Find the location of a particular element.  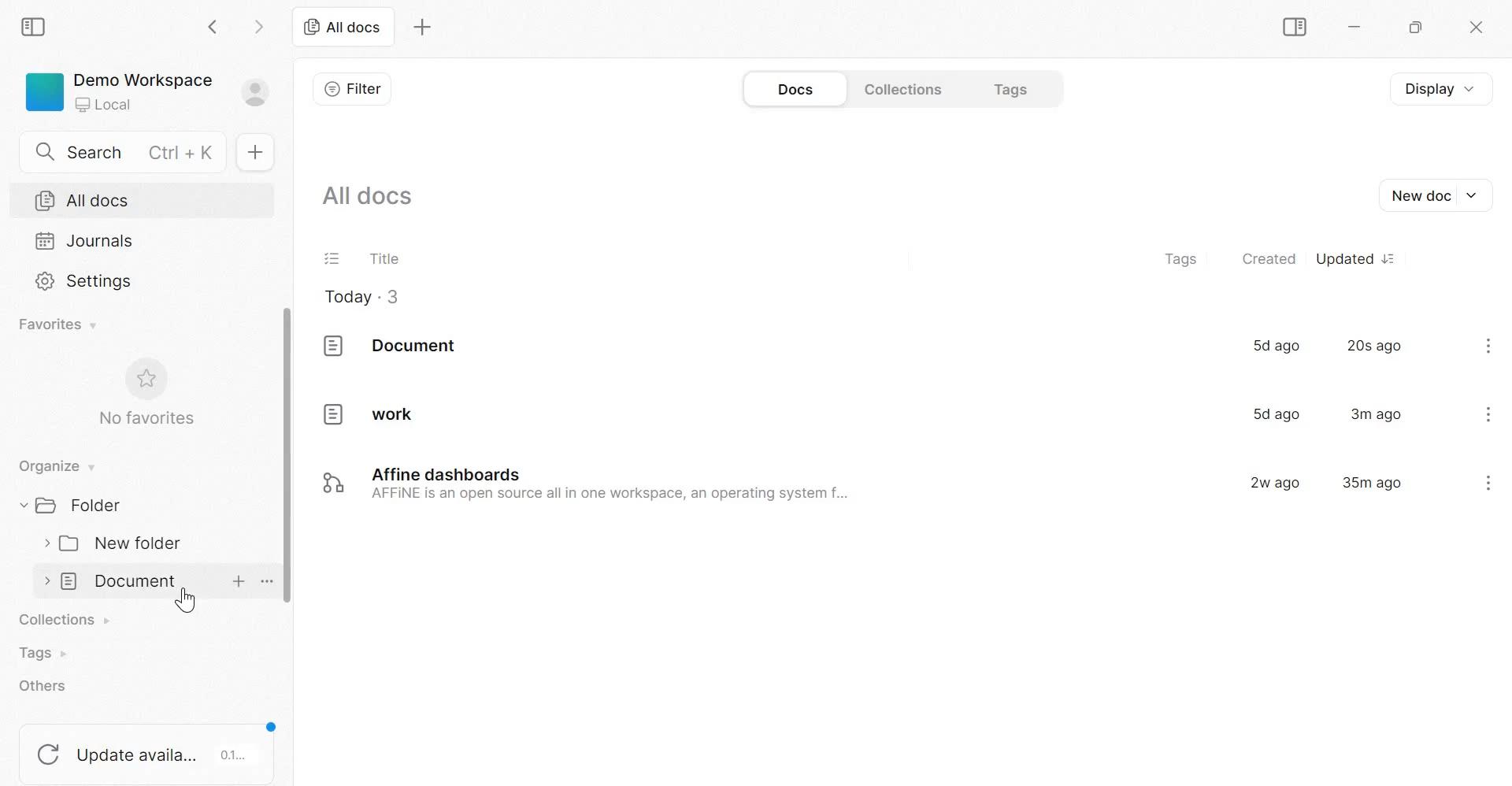

20s ago is located at coordinates (1374, 346).